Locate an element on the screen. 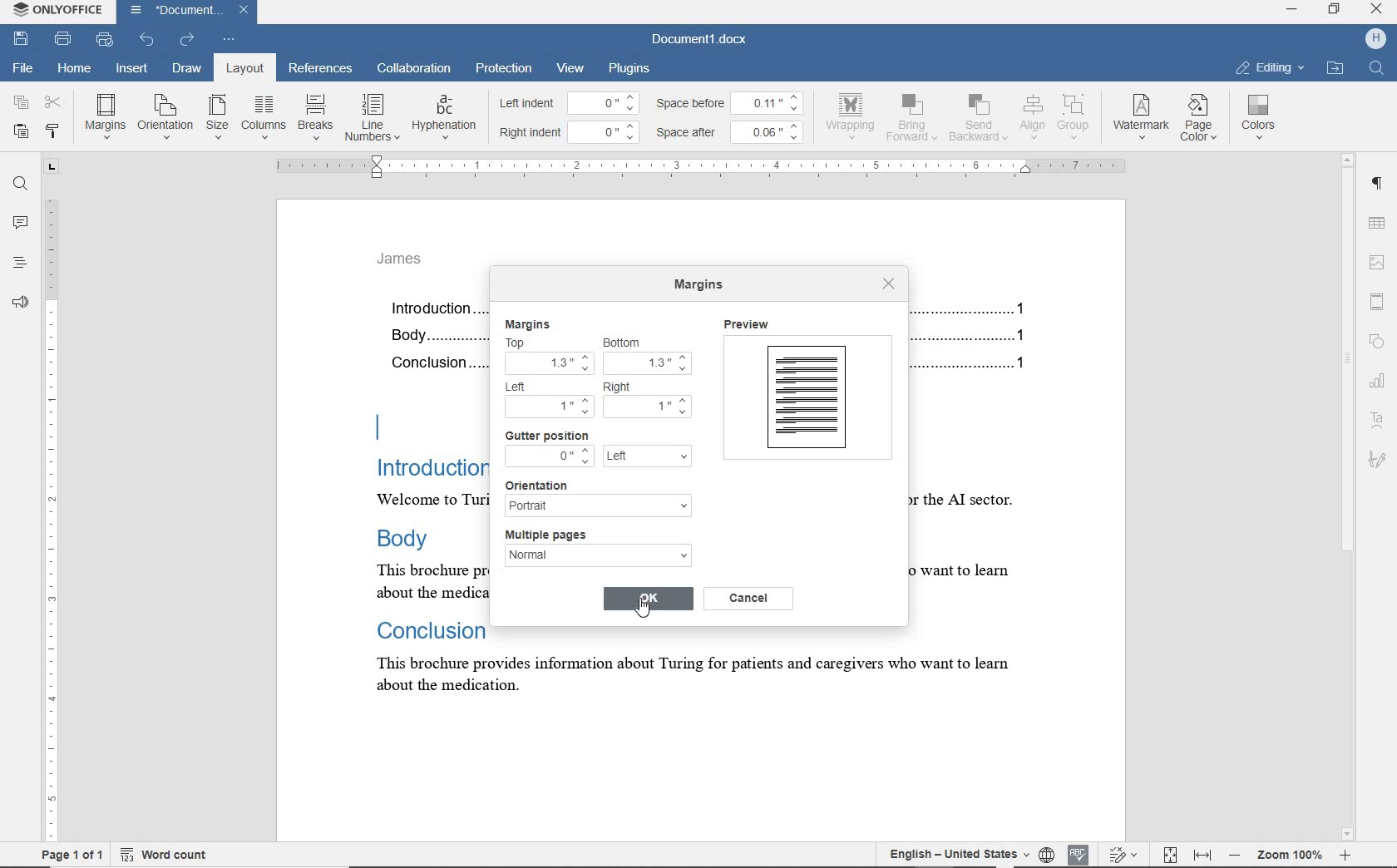 The width and height of the screenshot is (1397, 868). table is located at coordinates (1380, 224).